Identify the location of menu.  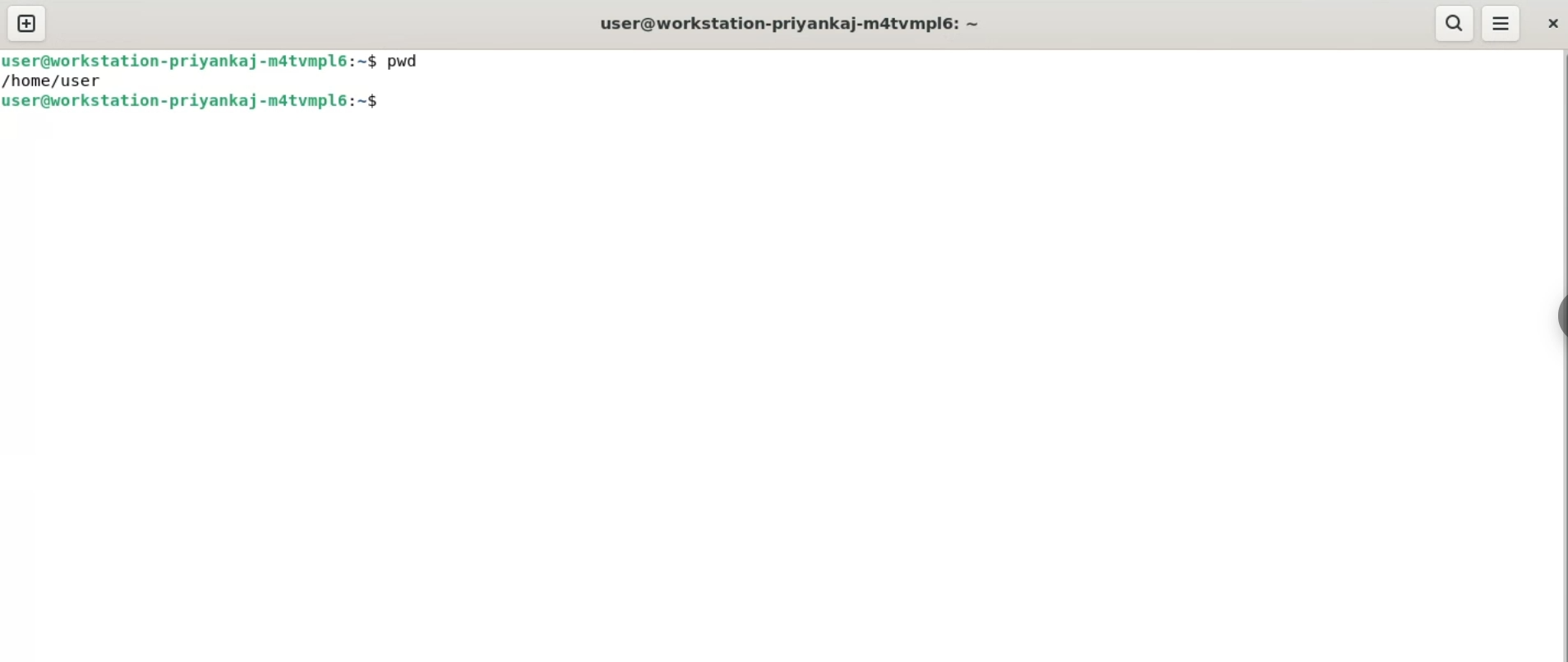
(1502, 22).